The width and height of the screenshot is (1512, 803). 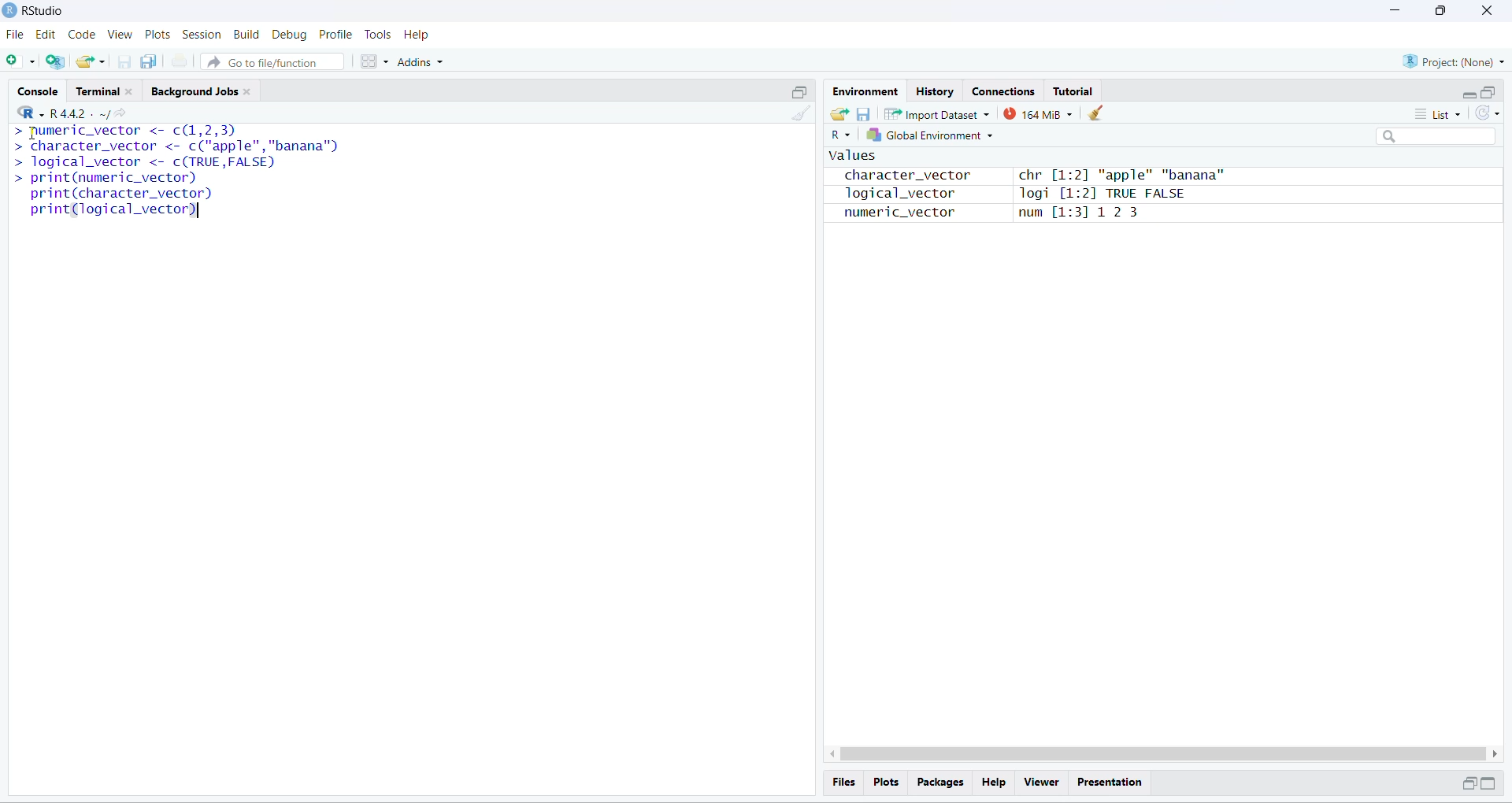 I want to click on minimize, so click(x=1466, y=783).